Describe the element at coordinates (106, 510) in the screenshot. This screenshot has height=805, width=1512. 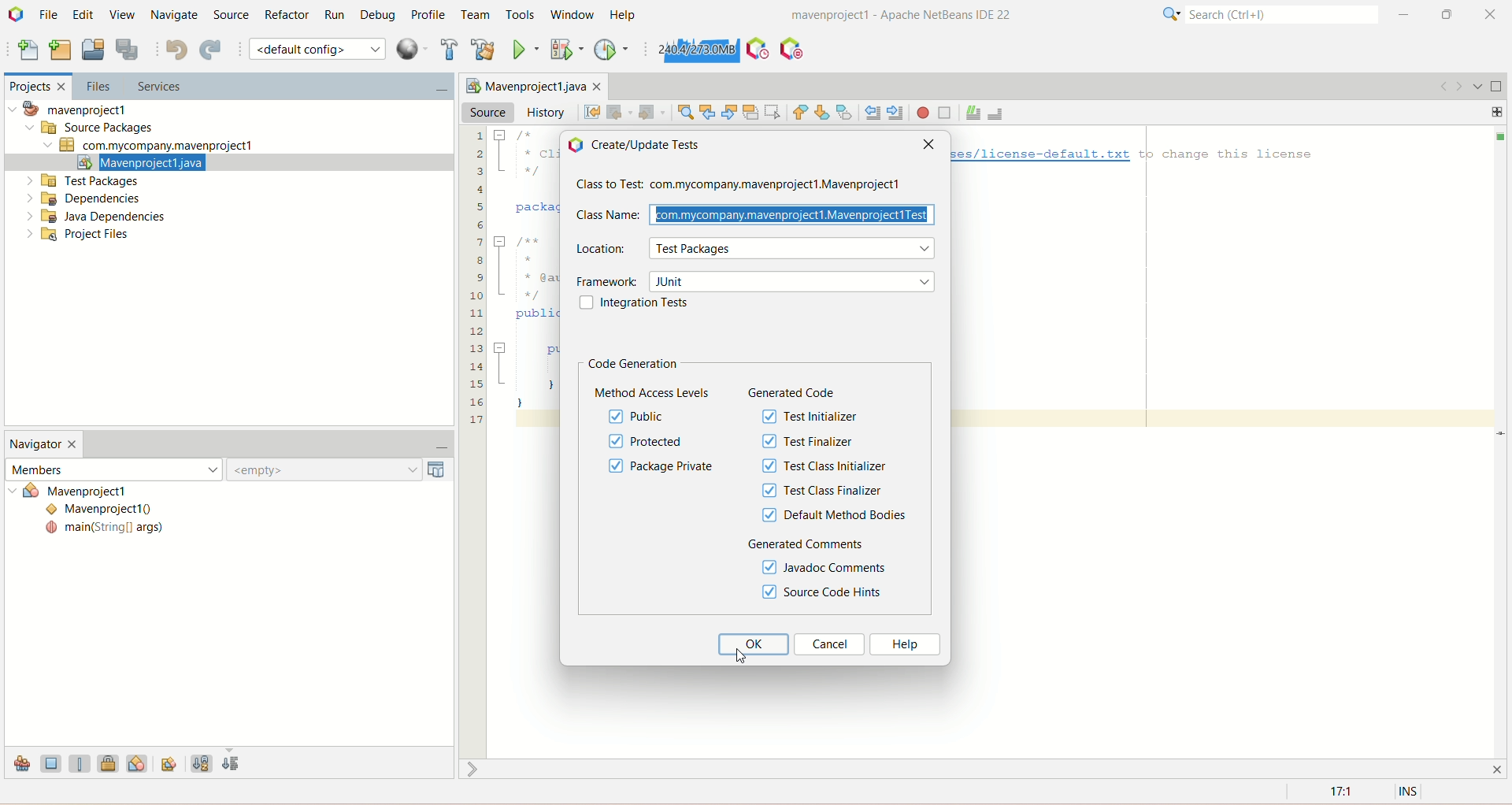
I see `Mavenproject()` at that location.